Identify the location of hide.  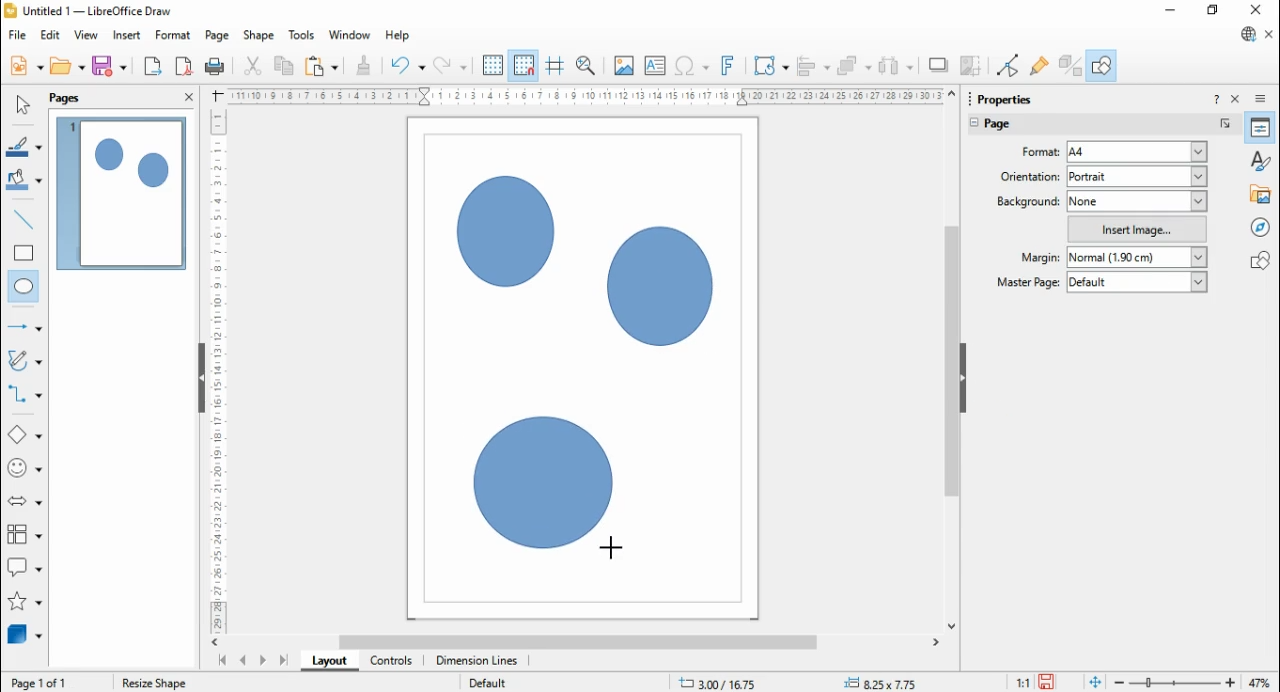
(962, 379).